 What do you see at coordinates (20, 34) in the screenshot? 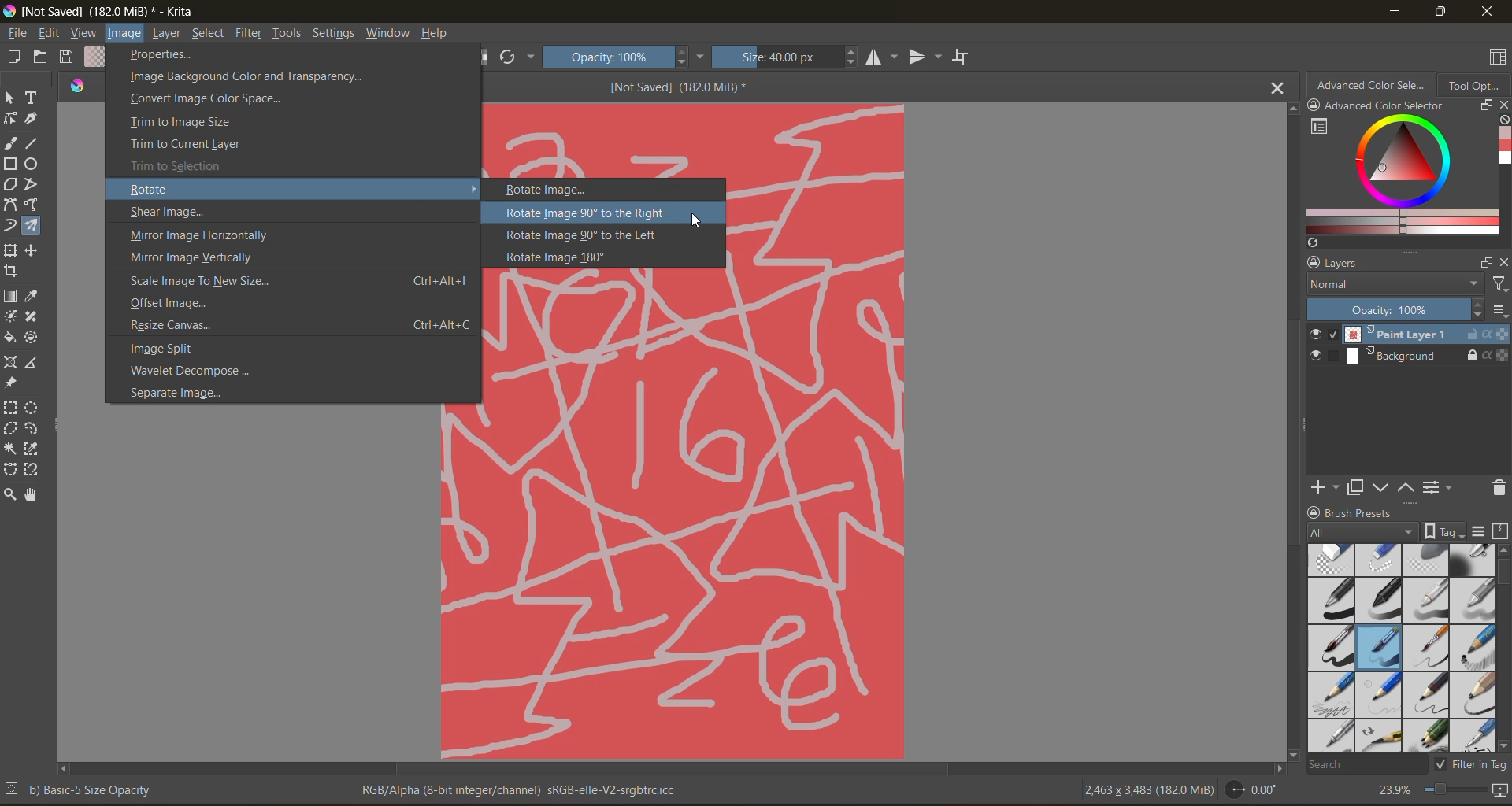
I see `file` at bounding box center [20, 34].